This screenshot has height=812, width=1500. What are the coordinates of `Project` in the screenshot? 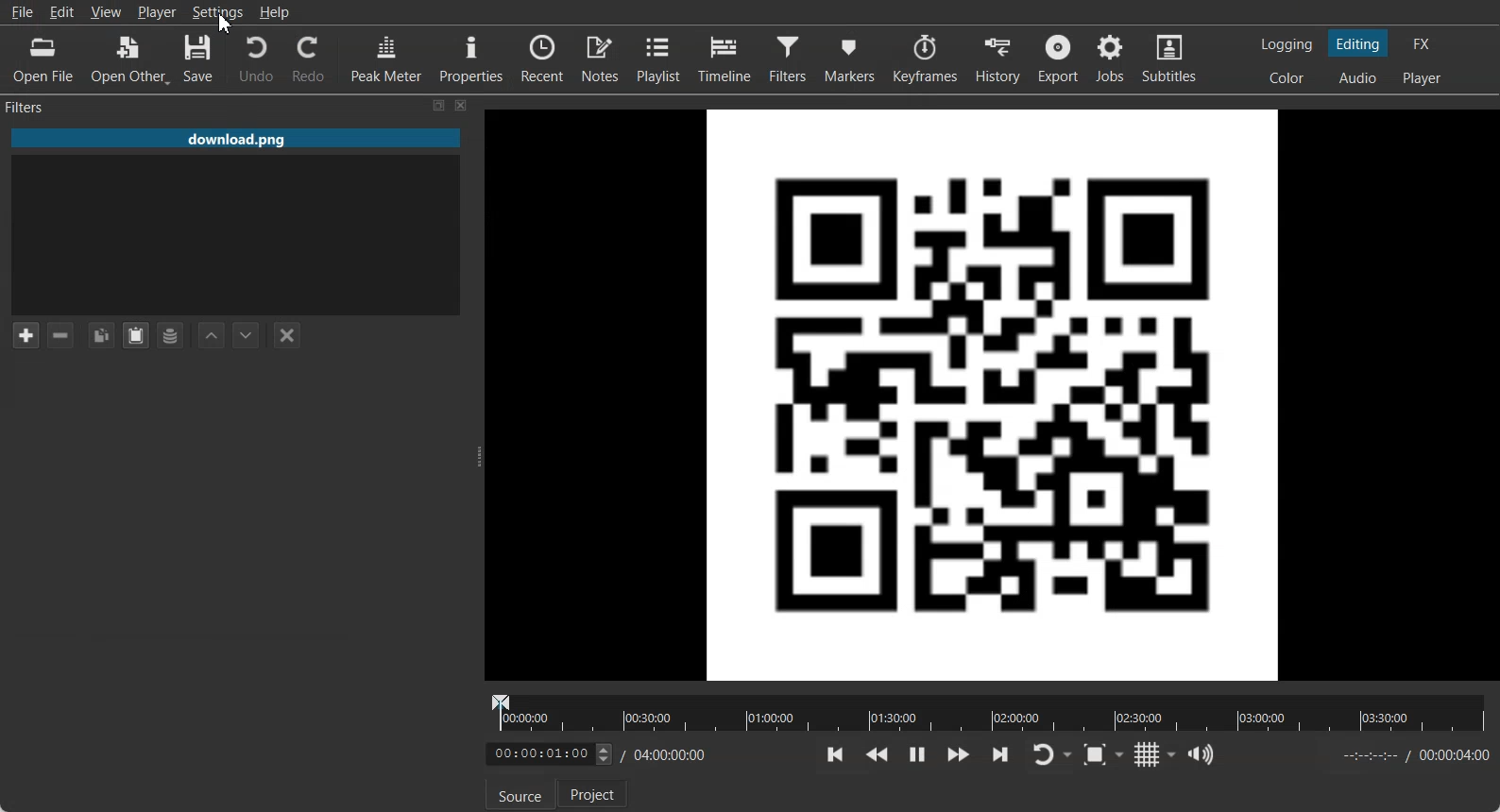 It's located at (592, 793).